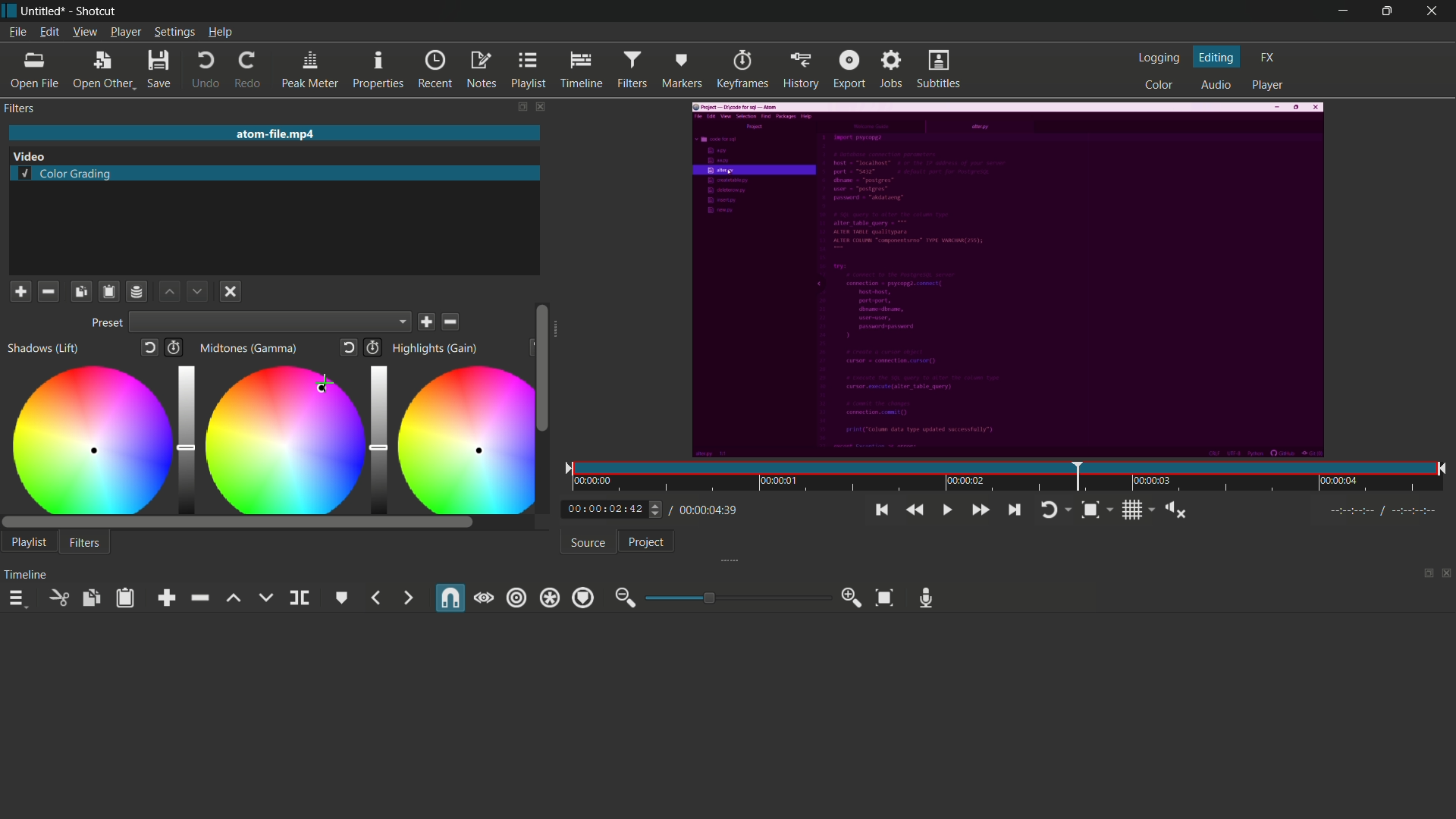  I want to click on Clipboard, so click(108, 291).